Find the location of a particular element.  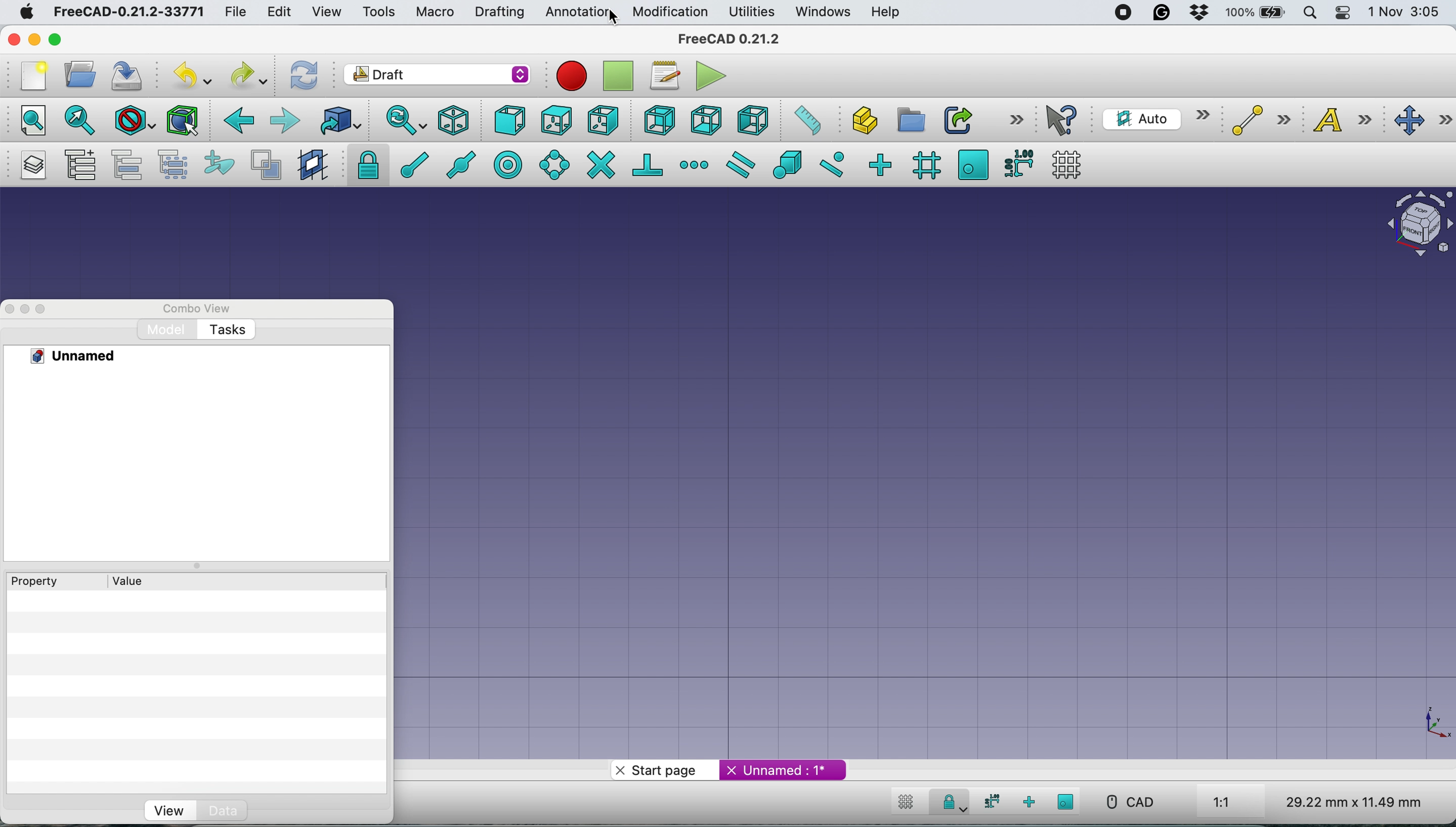

make link is located at coordinates (954, 119).